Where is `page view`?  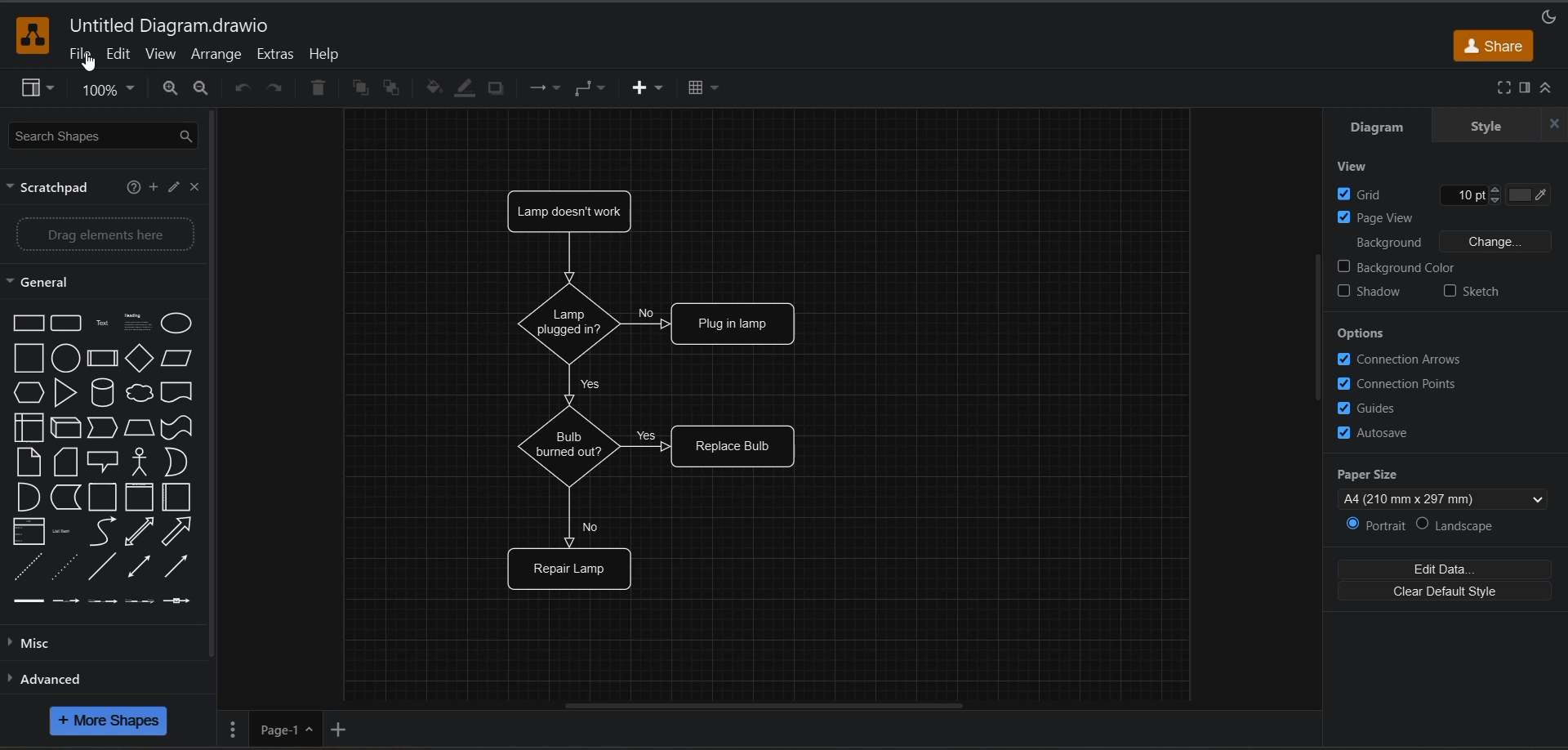
page view is located at coordinates (1388, 217).